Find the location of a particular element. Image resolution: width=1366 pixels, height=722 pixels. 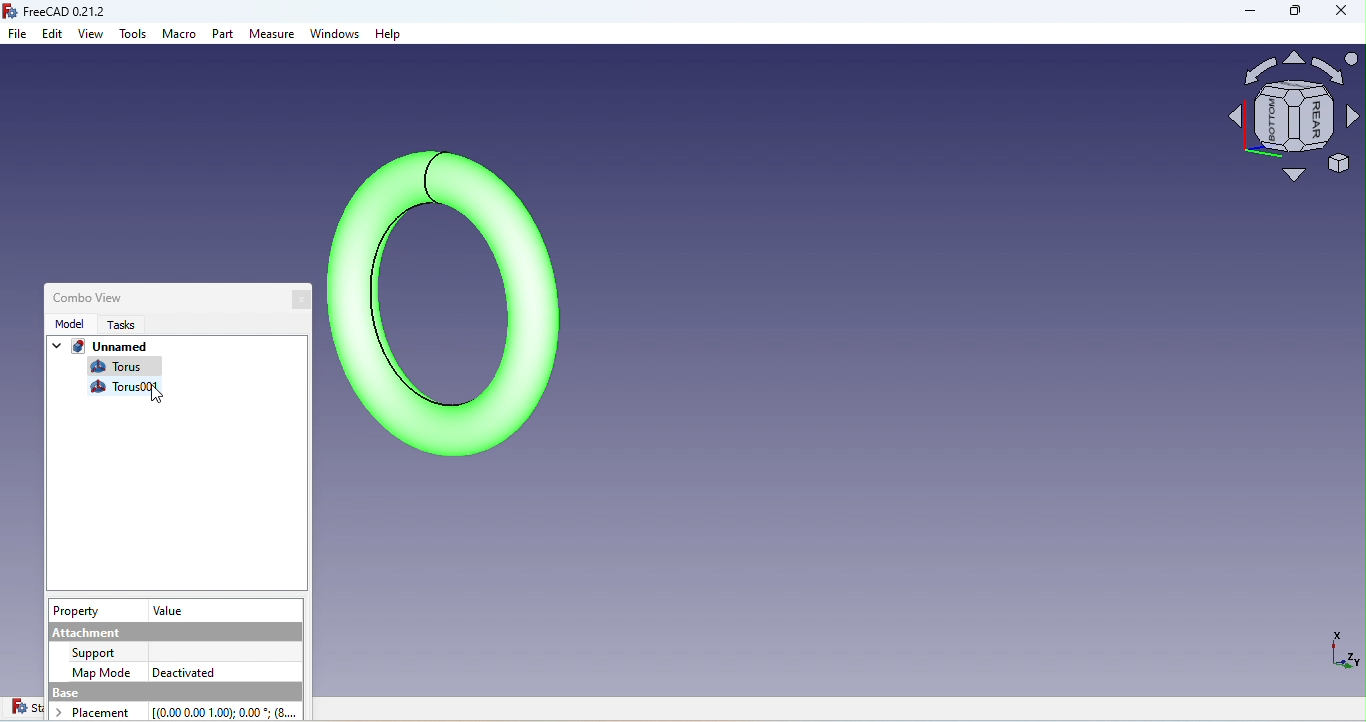

Torus is located at coordinates (121, 368).